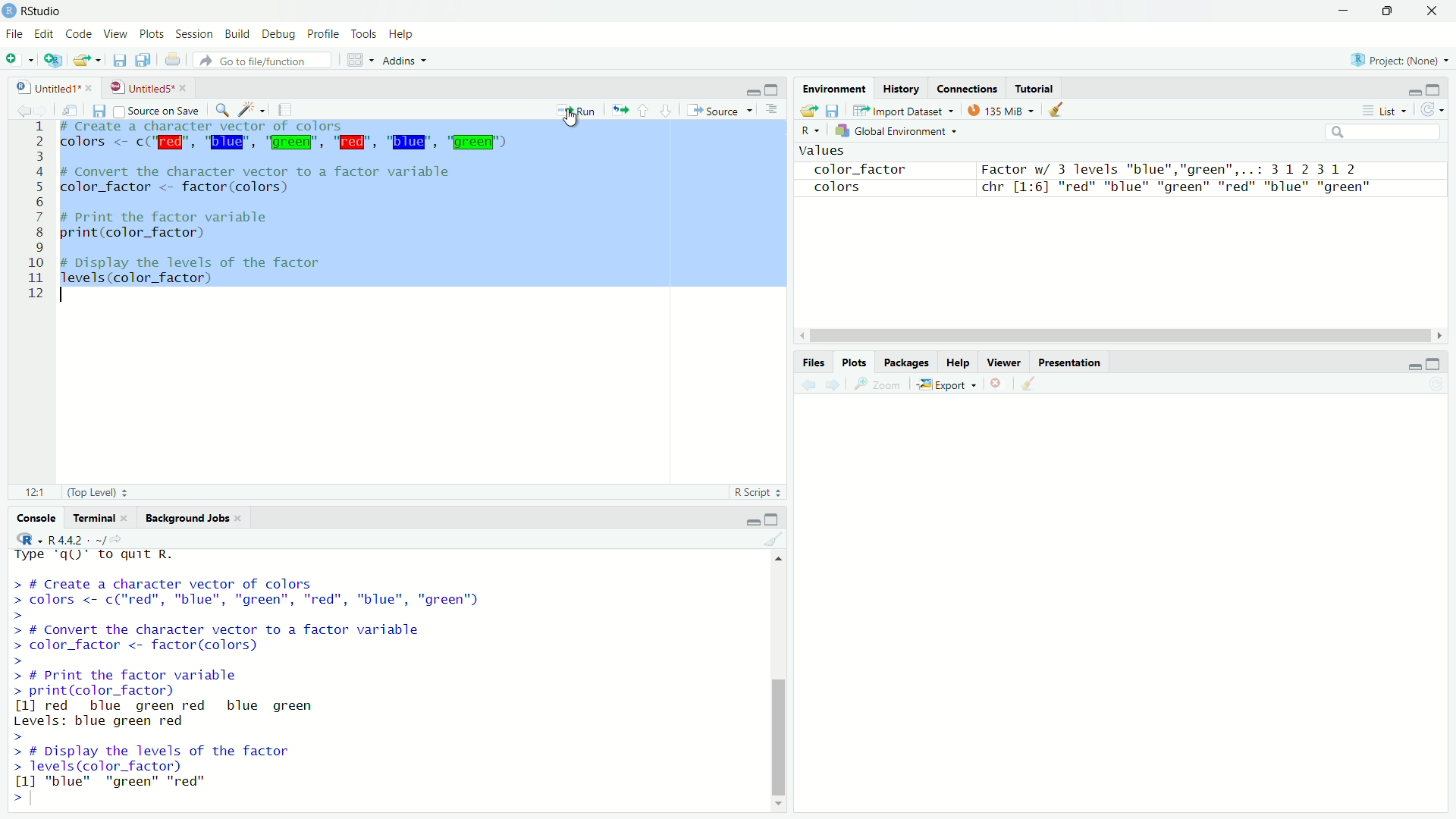 This screenshot has height=819, width=1456. What do you see at coordinates (1000, 110) in the screenshot?
I see `134 MiB` at bounding box center [1000, 110].